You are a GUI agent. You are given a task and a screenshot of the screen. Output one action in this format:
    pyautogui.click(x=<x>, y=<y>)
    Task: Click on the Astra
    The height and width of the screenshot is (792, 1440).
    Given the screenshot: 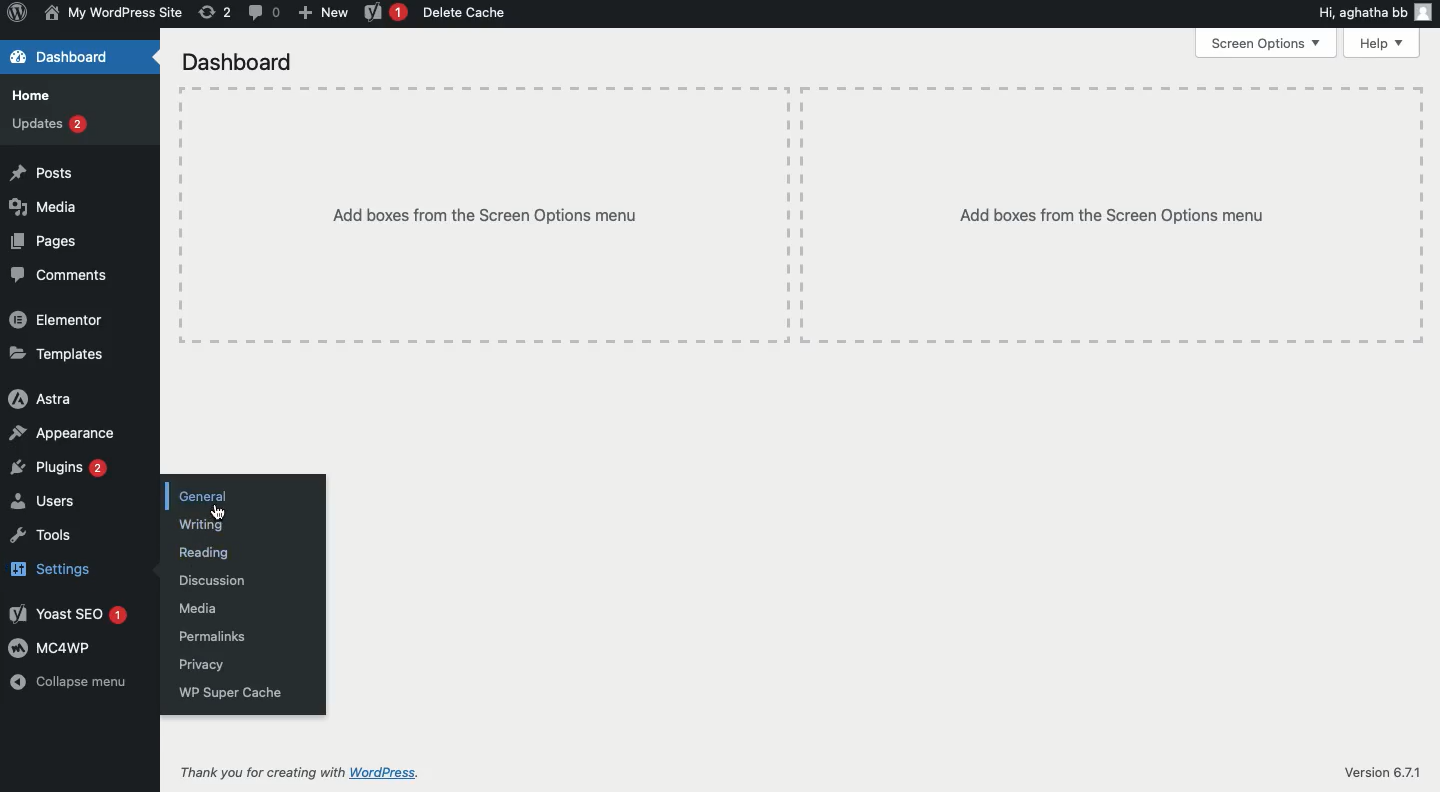 What is the action you would take?
    pyautogui.click(x=40, y=400)
    